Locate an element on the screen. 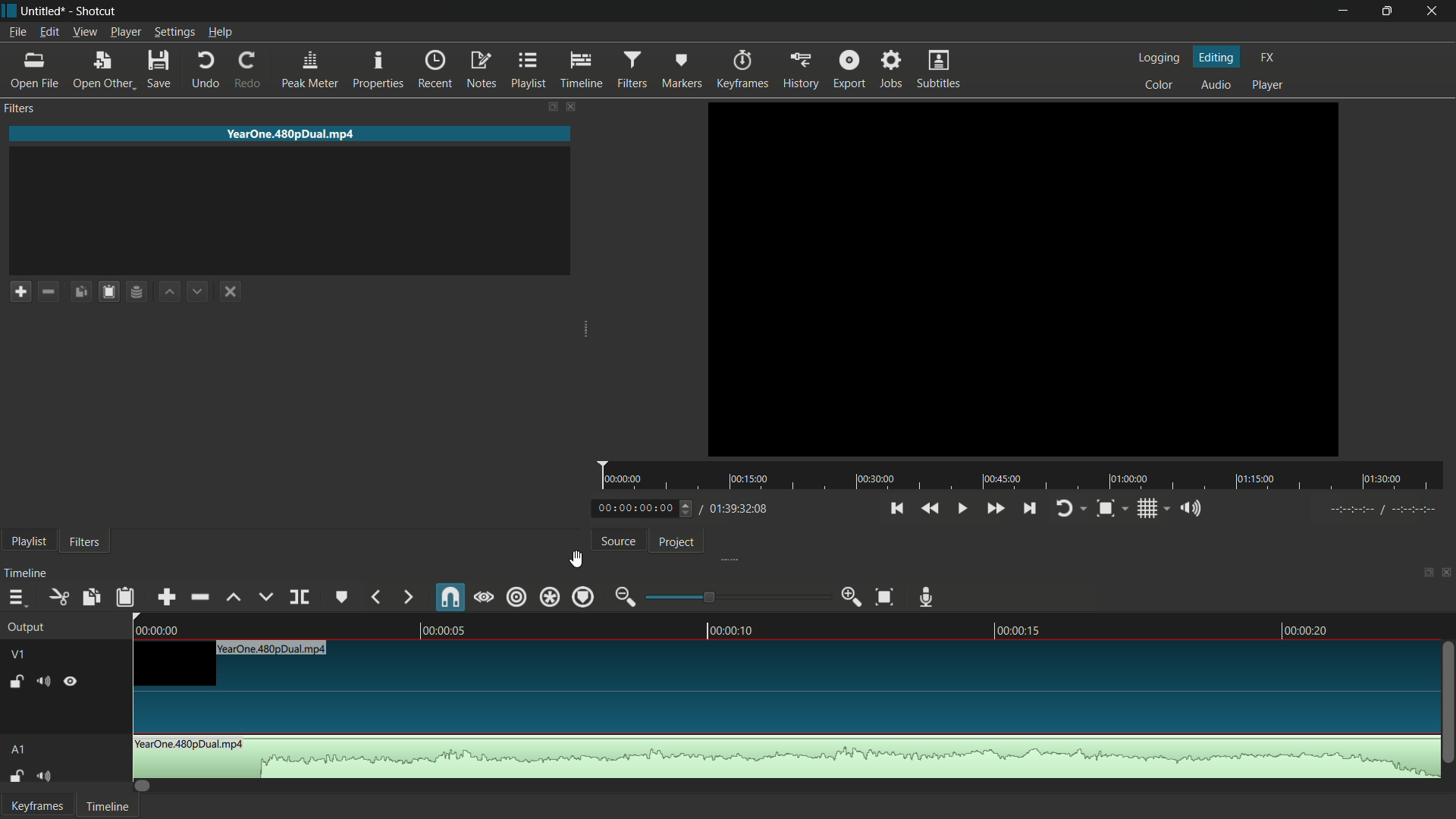 The image size is (1456, 819). v1 is located at coordinates (20, 655).